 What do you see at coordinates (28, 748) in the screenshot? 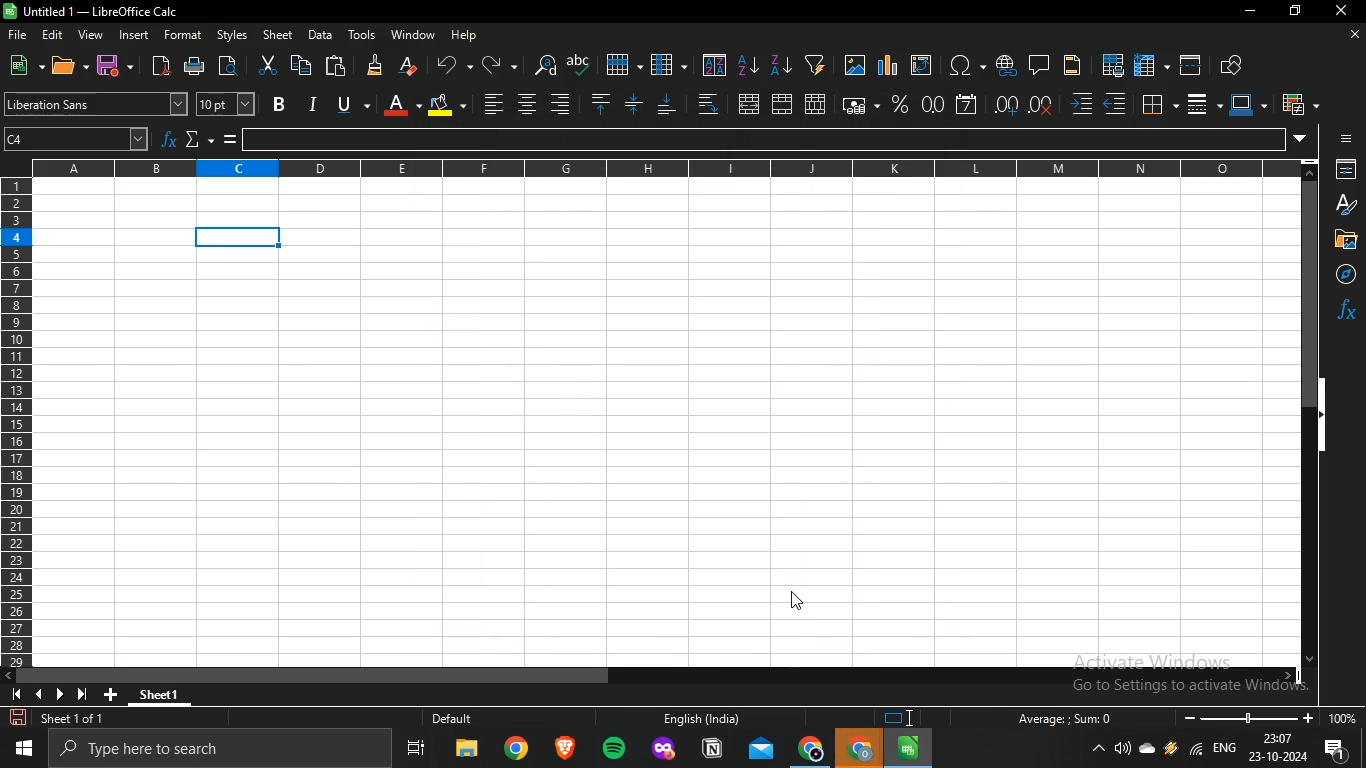
I see `start` at bounding box center [28, 748].